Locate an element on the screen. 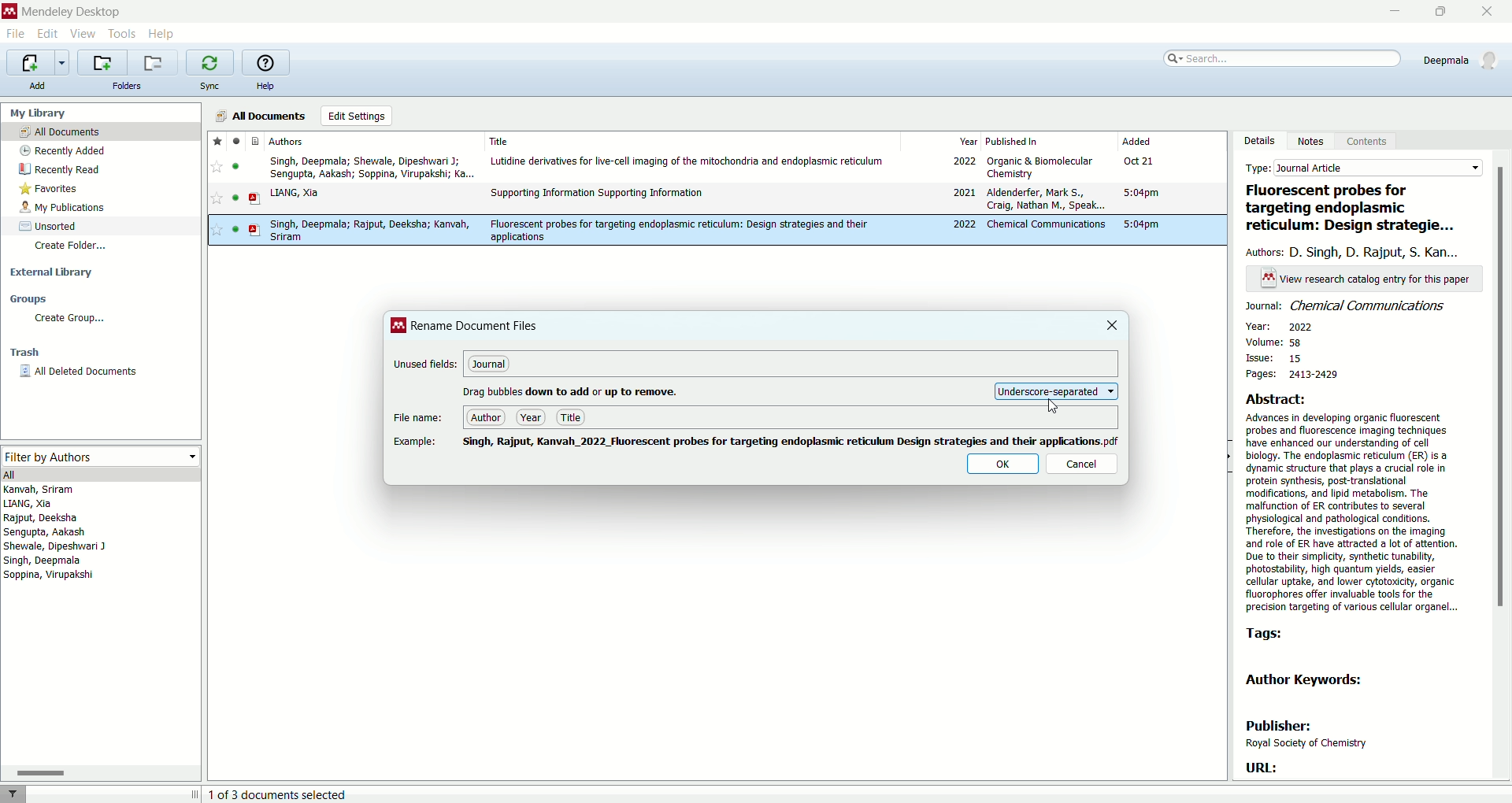  notes is located at coordinates (1314, 142).